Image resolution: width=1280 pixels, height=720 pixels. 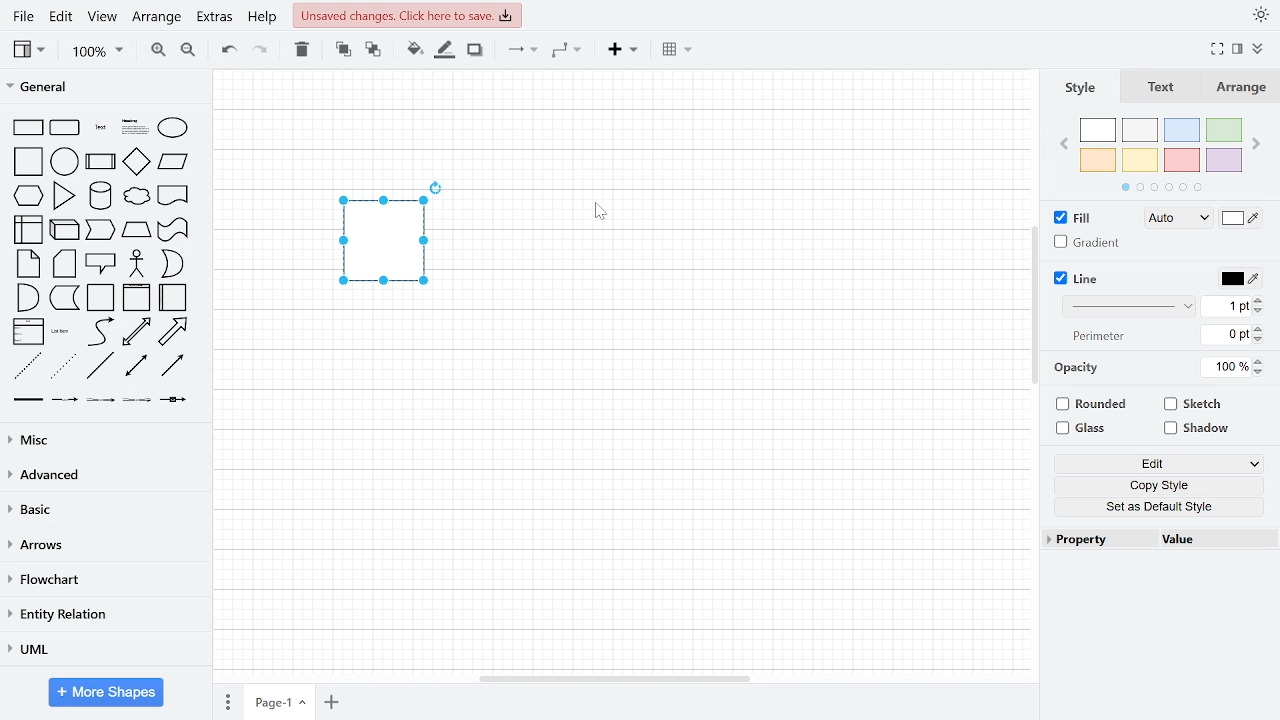 I want to click on style, so click(x=1079, y=85).